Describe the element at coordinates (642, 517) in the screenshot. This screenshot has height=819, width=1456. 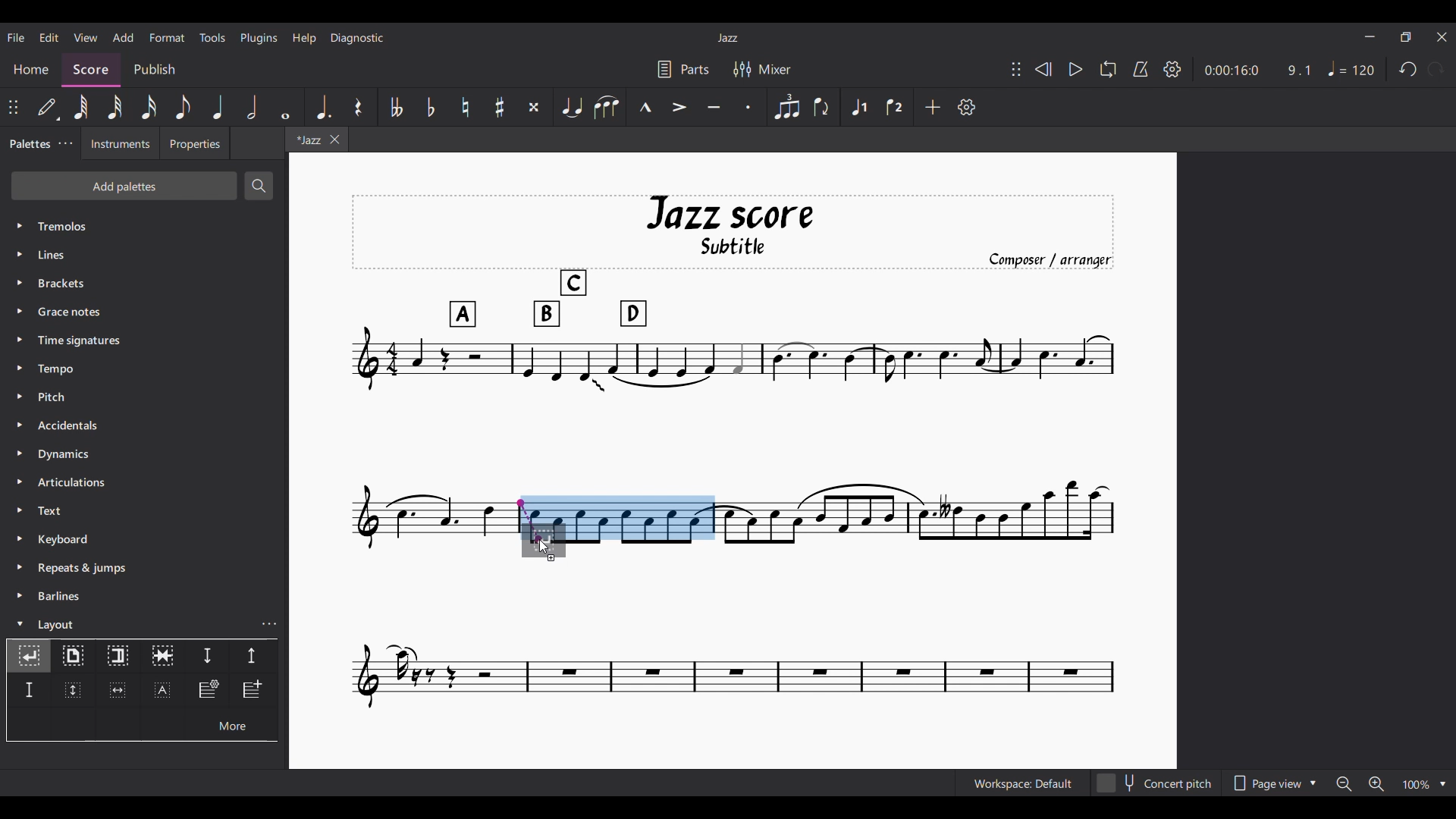
I see `Selected measure highlighted` at that location.